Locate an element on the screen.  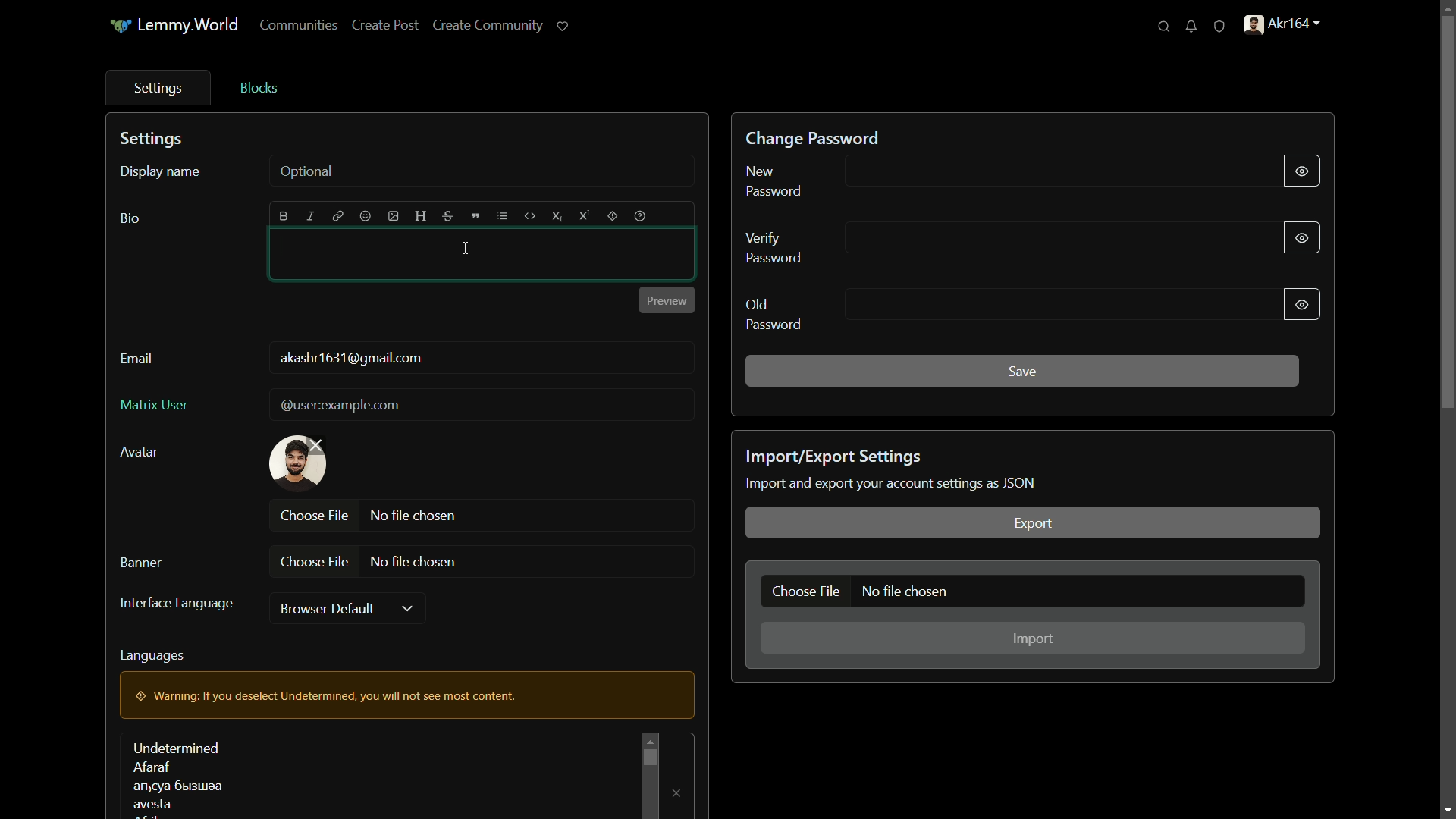
subscript is located at coordinates (557, 217).